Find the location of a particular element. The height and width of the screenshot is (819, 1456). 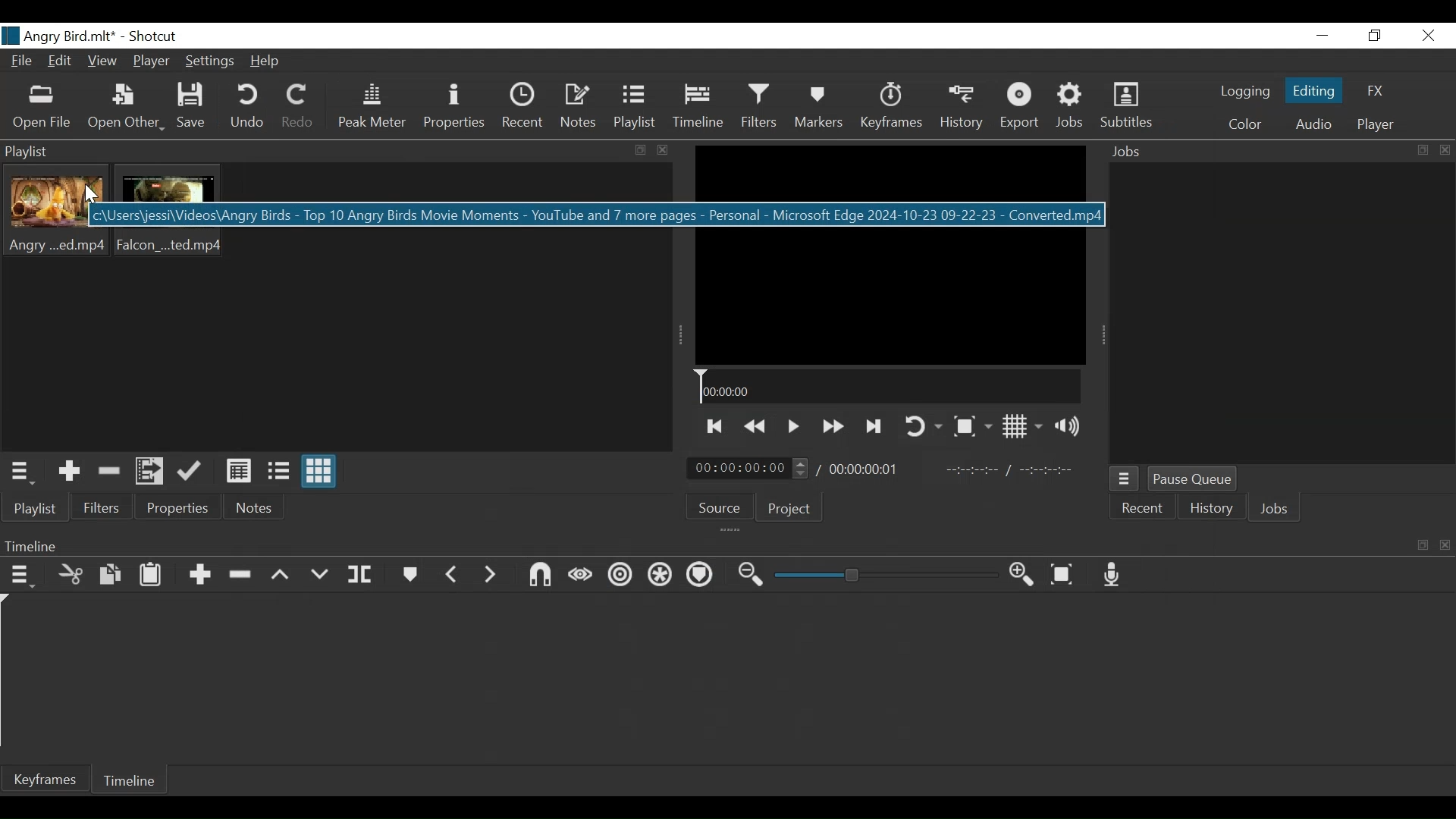

Scrub while dragging is located at coordinates (580, 576).